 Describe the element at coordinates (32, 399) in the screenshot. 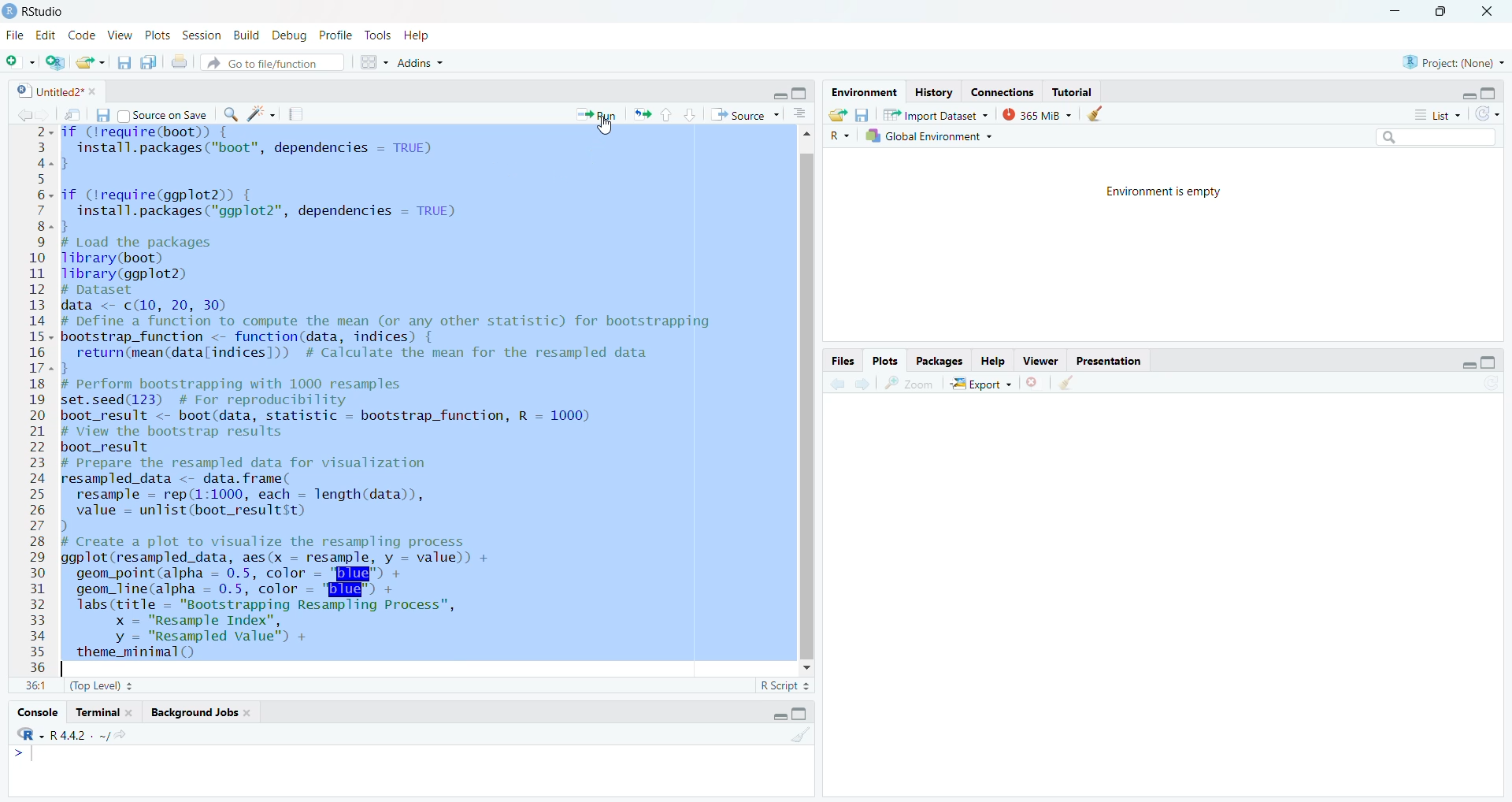

I see `23456789101112131415161718192021222324252627282930313233343536` at that location.